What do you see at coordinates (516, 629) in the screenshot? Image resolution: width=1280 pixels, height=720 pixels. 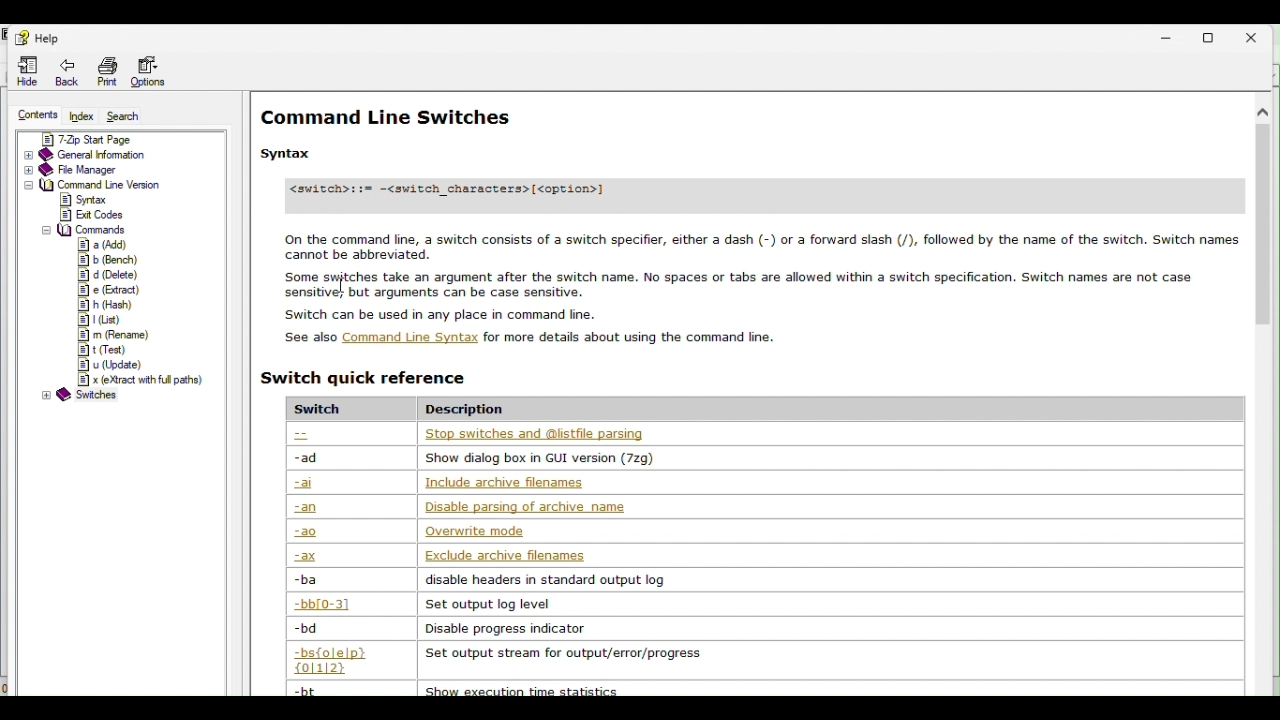 I see `disable progress indicator` at bounding box center [516, 629].